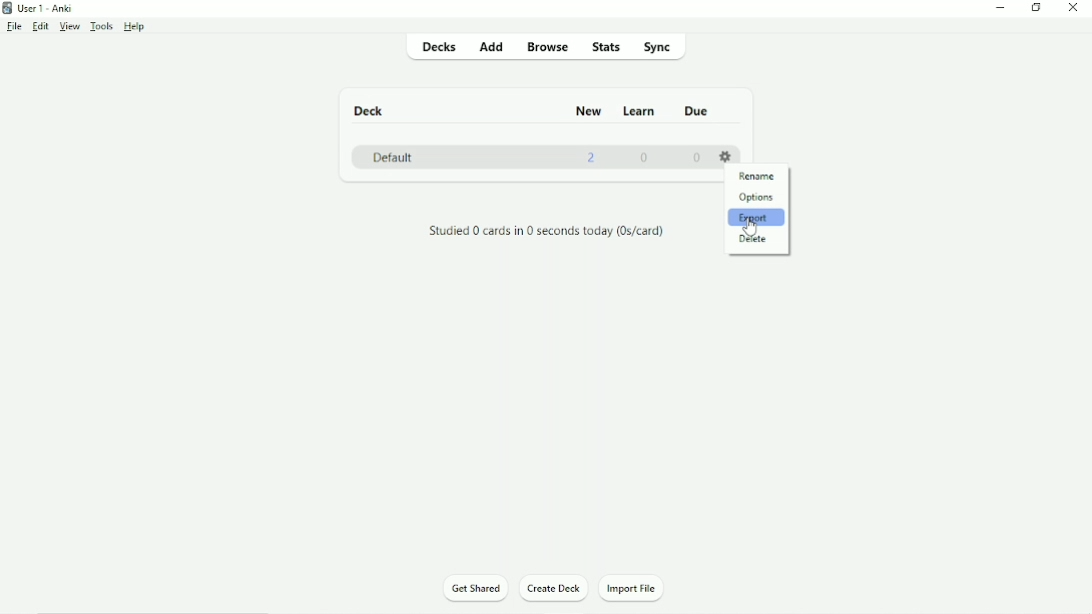 The width and height of the screenshot is (1092, 614). What do you see at coordinates (758, 176) in the screenshot?
I see `Rename` at bounding box center [758, 176].